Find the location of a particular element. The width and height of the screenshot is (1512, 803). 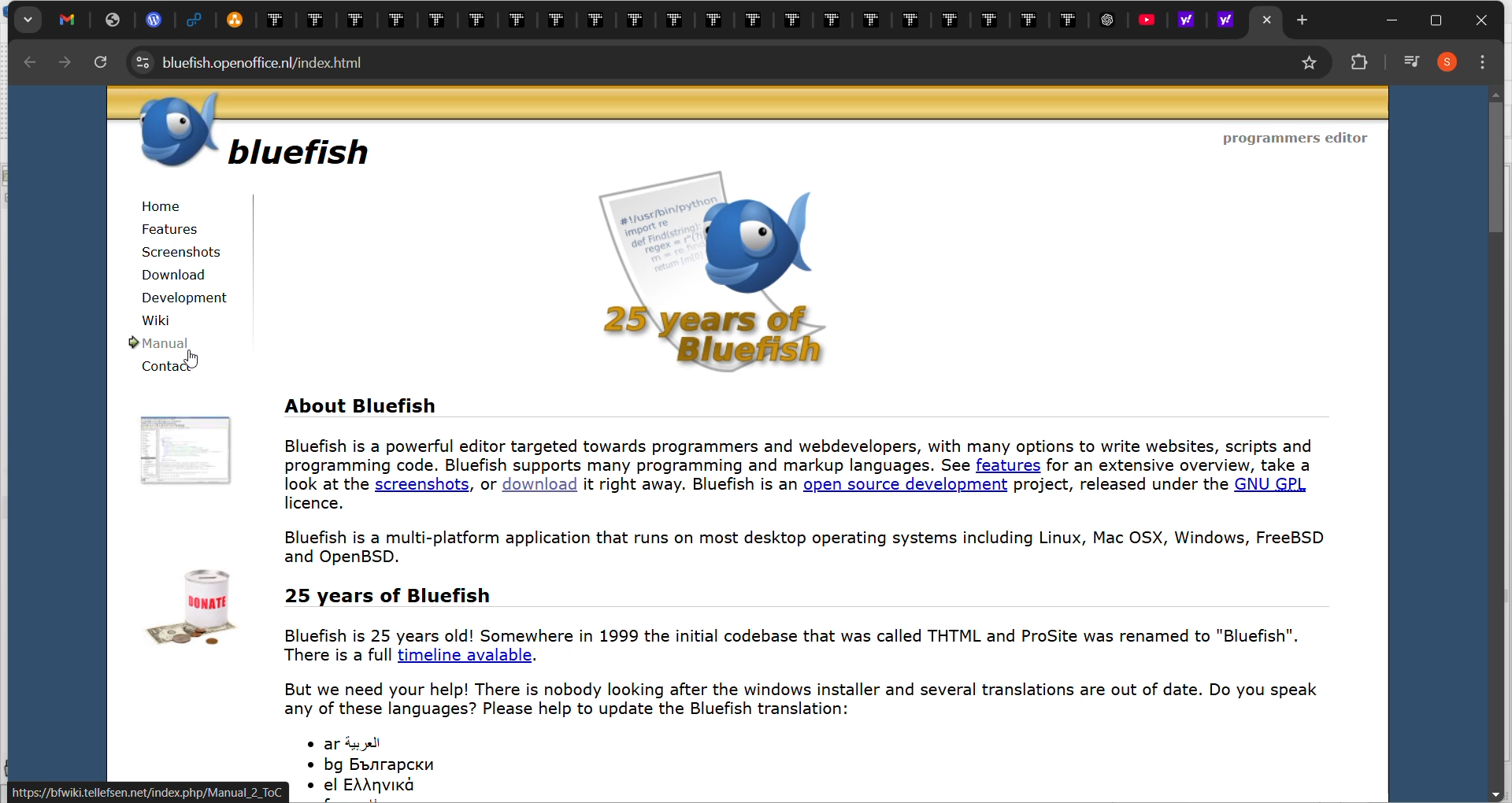

extensions is located at coordinates (1365, 65).